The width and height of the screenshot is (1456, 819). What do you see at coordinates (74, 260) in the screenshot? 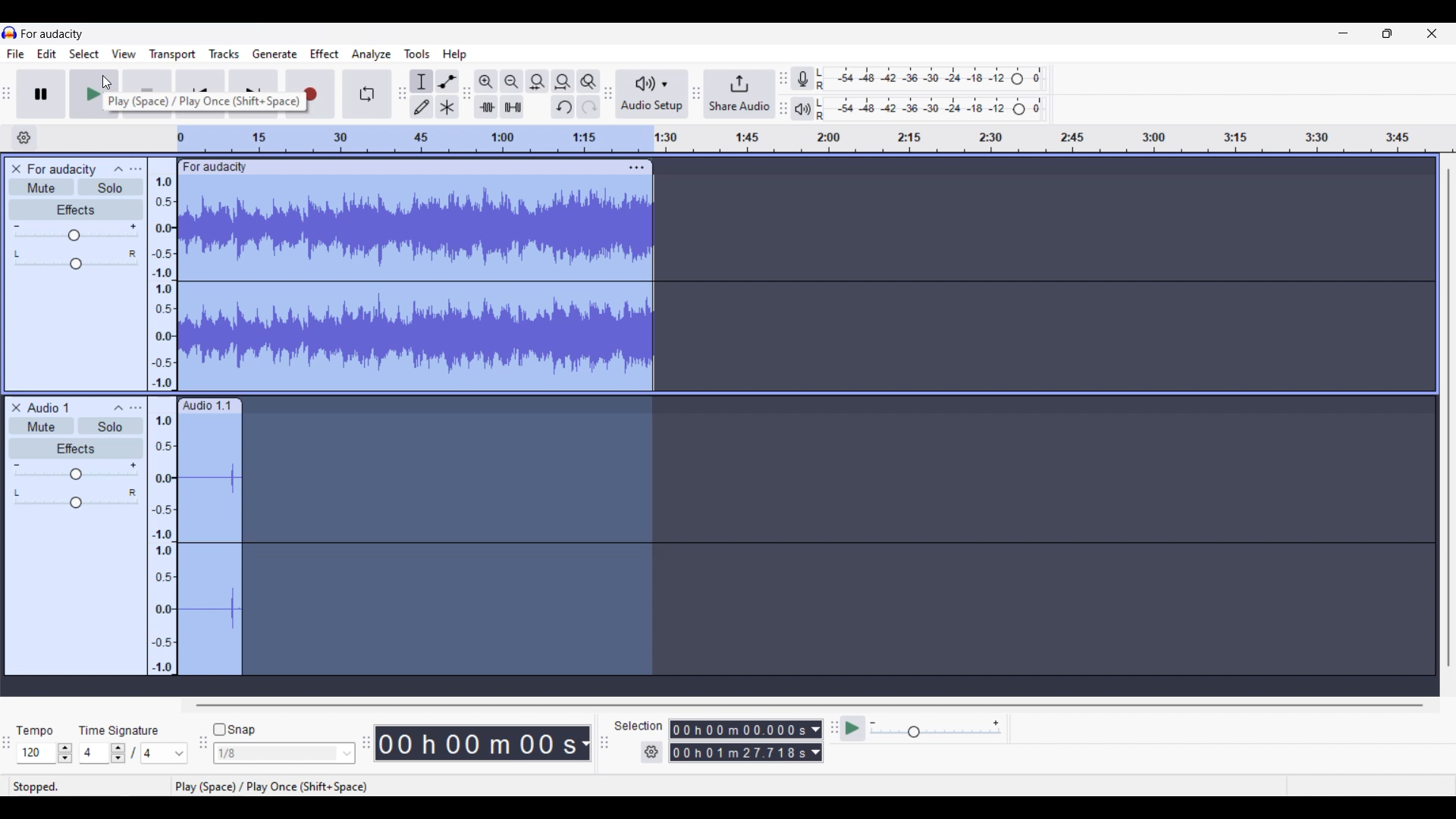
I see `Pan slider` at bounding box center [74, 260].